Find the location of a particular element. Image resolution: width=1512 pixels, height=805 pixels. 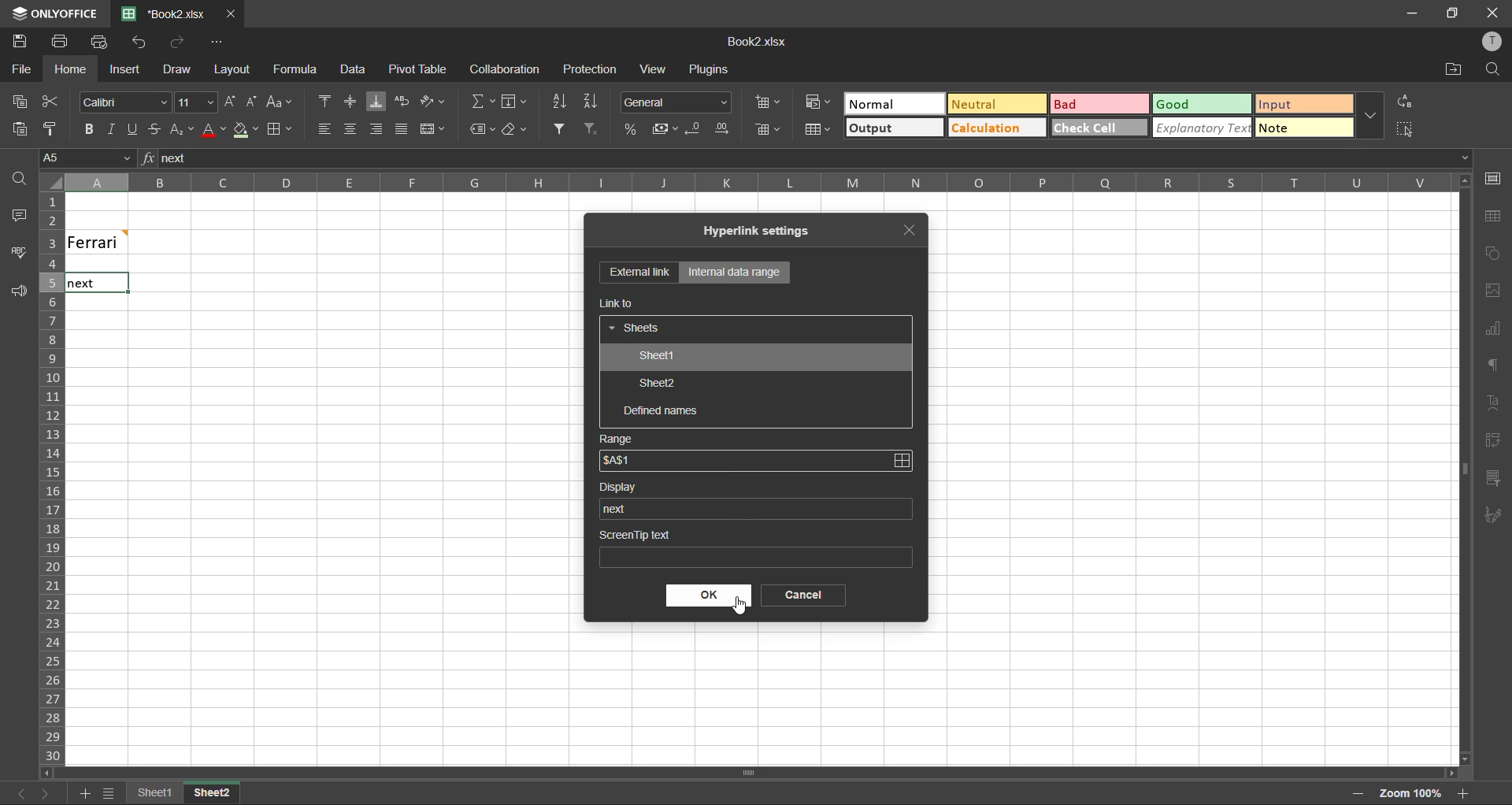

internal data range is located at coordinates (733, 273).